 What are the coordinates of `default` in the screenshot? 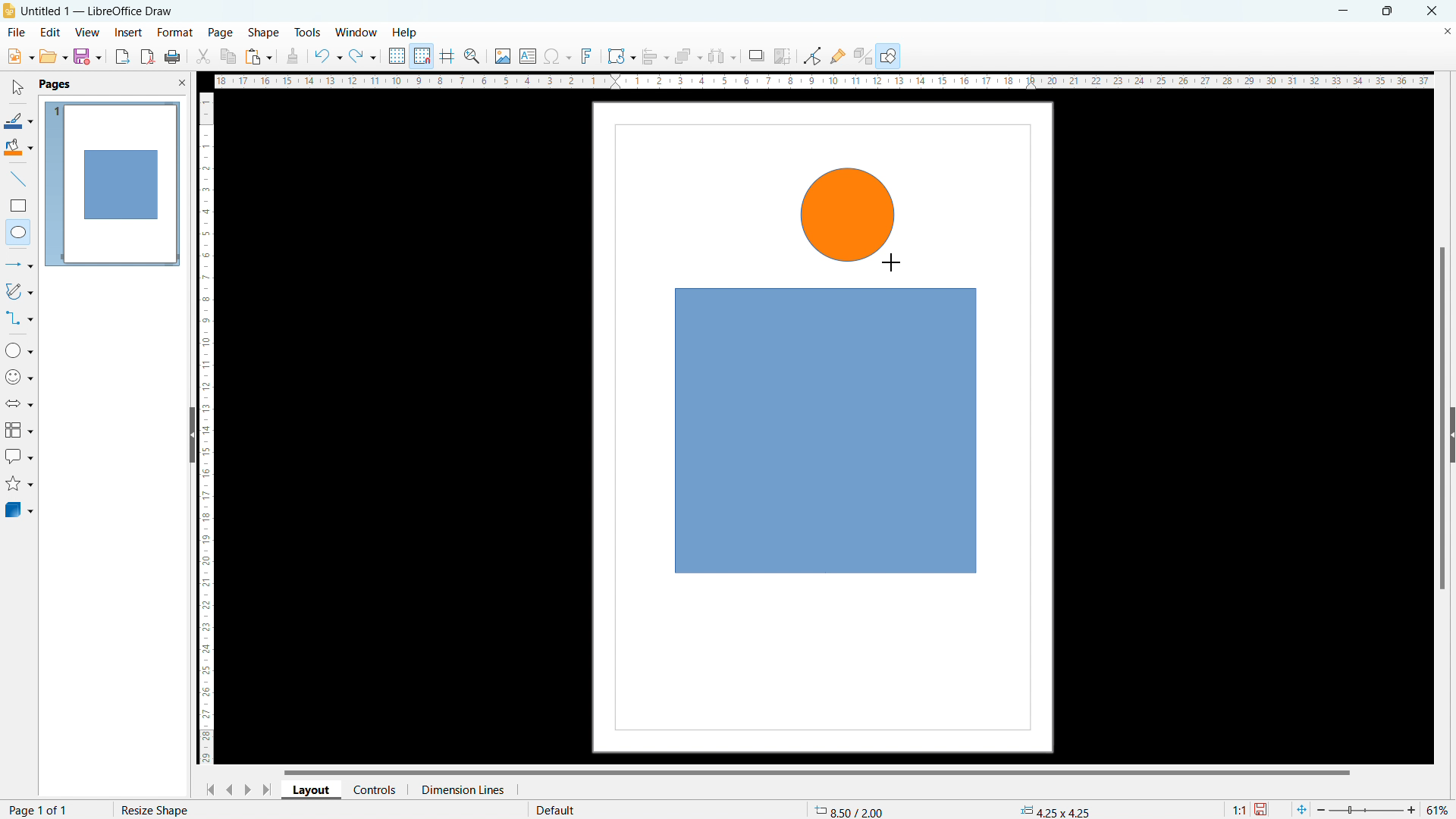 It's located at (554, 809).